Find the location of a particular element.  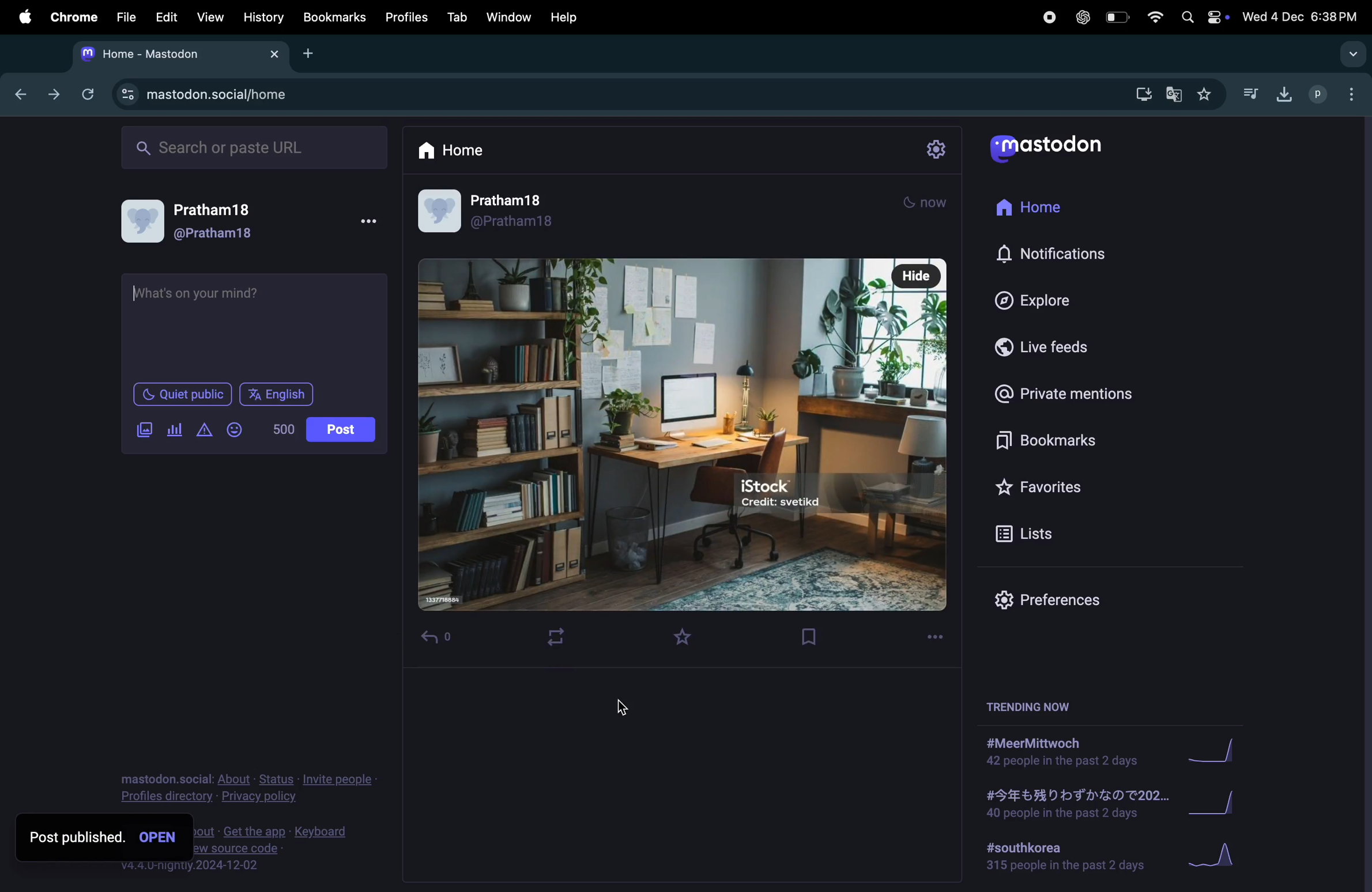

backward is located at coordinates (16, 96).